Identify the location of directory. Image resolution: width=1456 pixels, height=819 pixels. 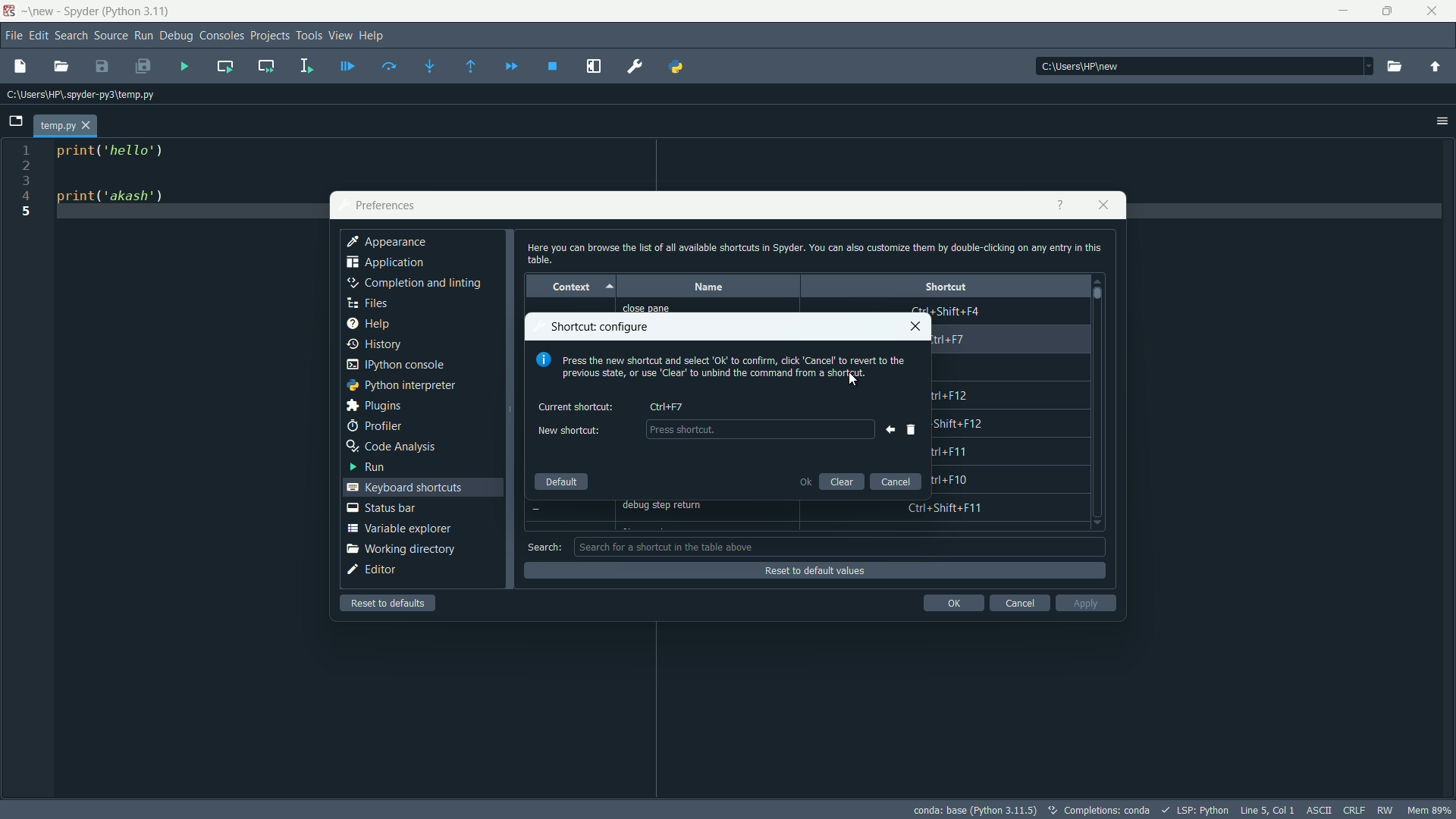
(81, 96).